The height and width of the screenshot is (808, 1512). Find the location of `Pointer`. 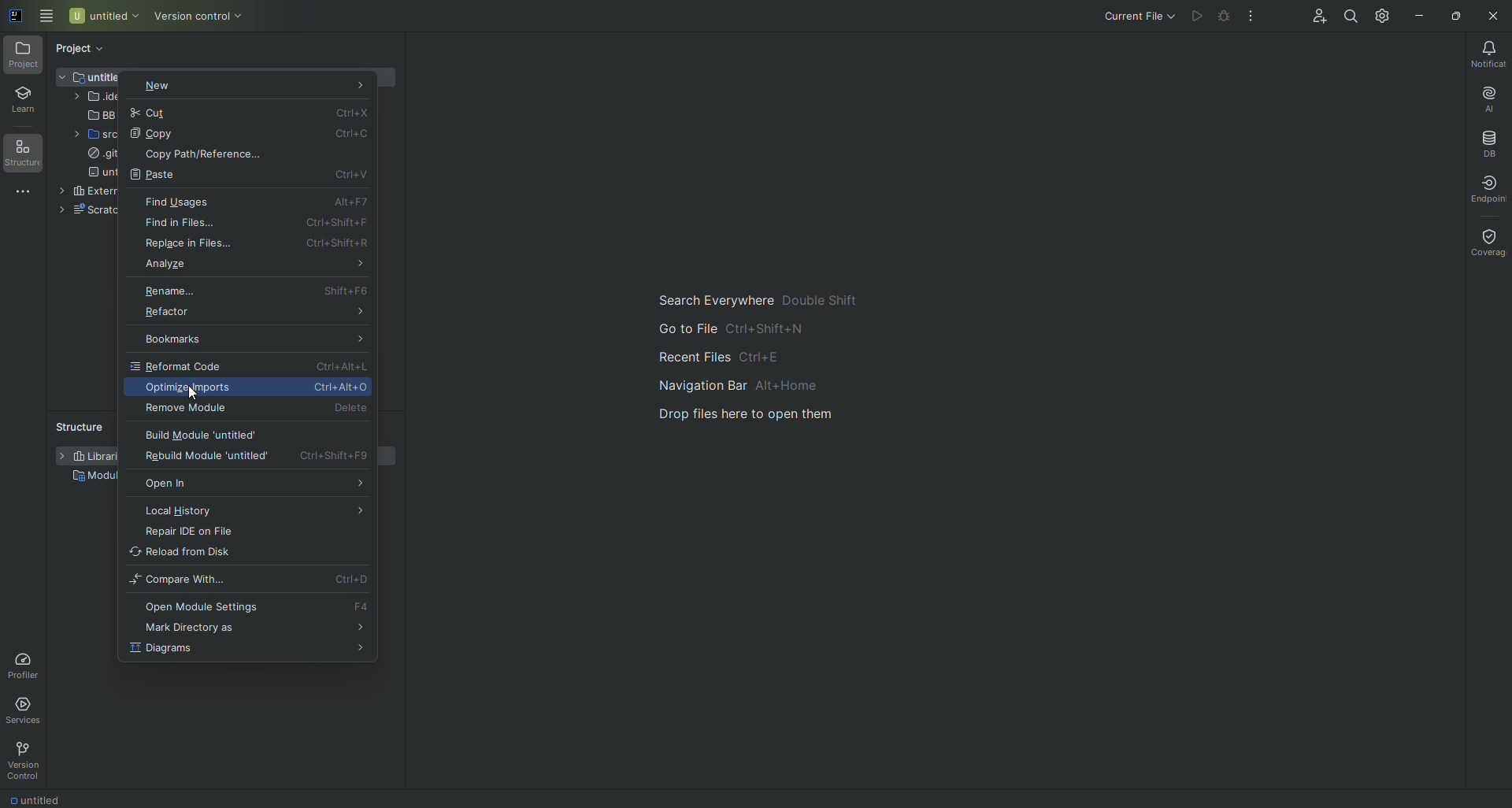

Pointer is located at coordinates (198, 395).